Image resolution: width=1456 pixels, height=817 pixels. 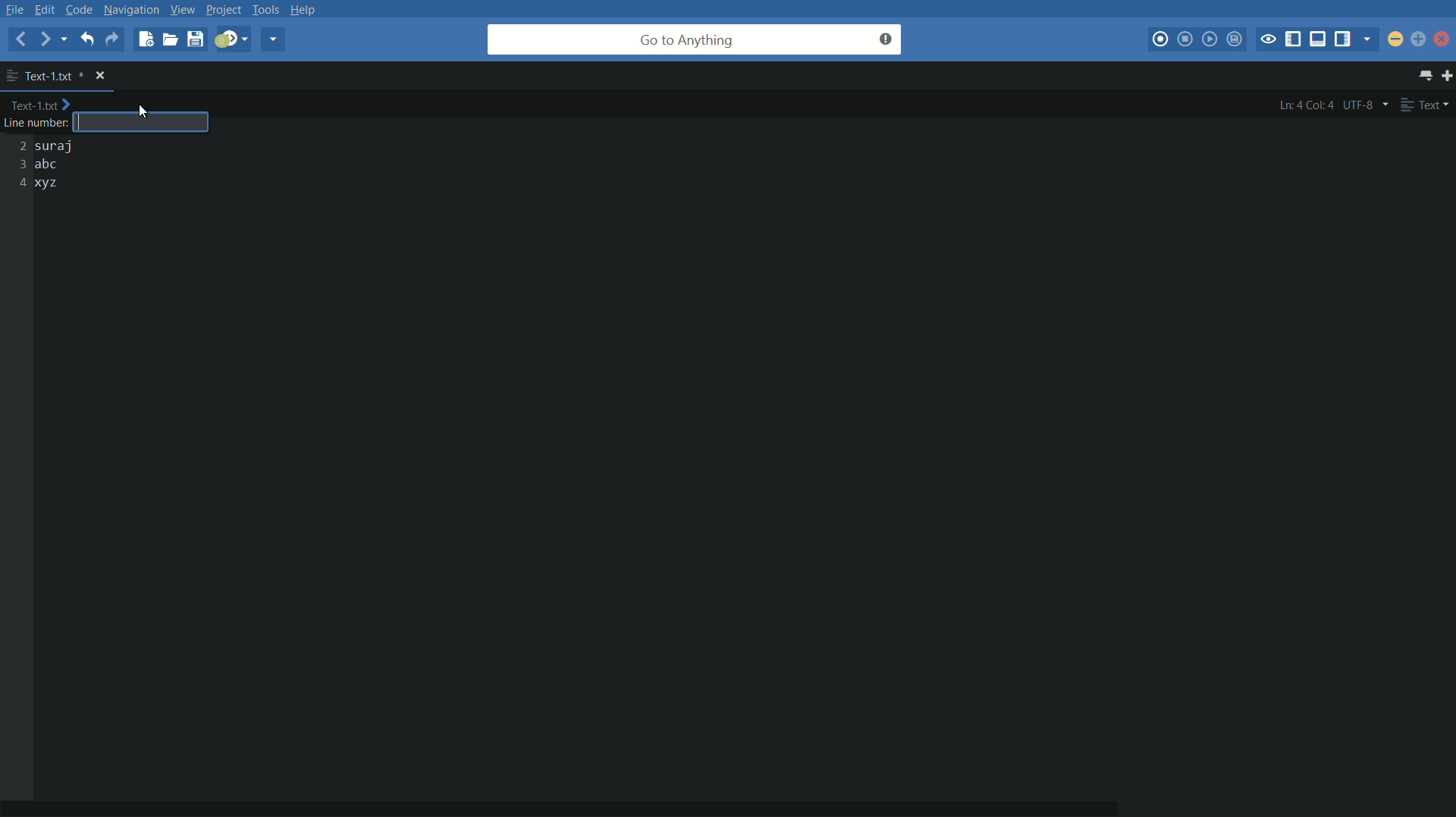 I want to click on file, so click(x=15, y=9).